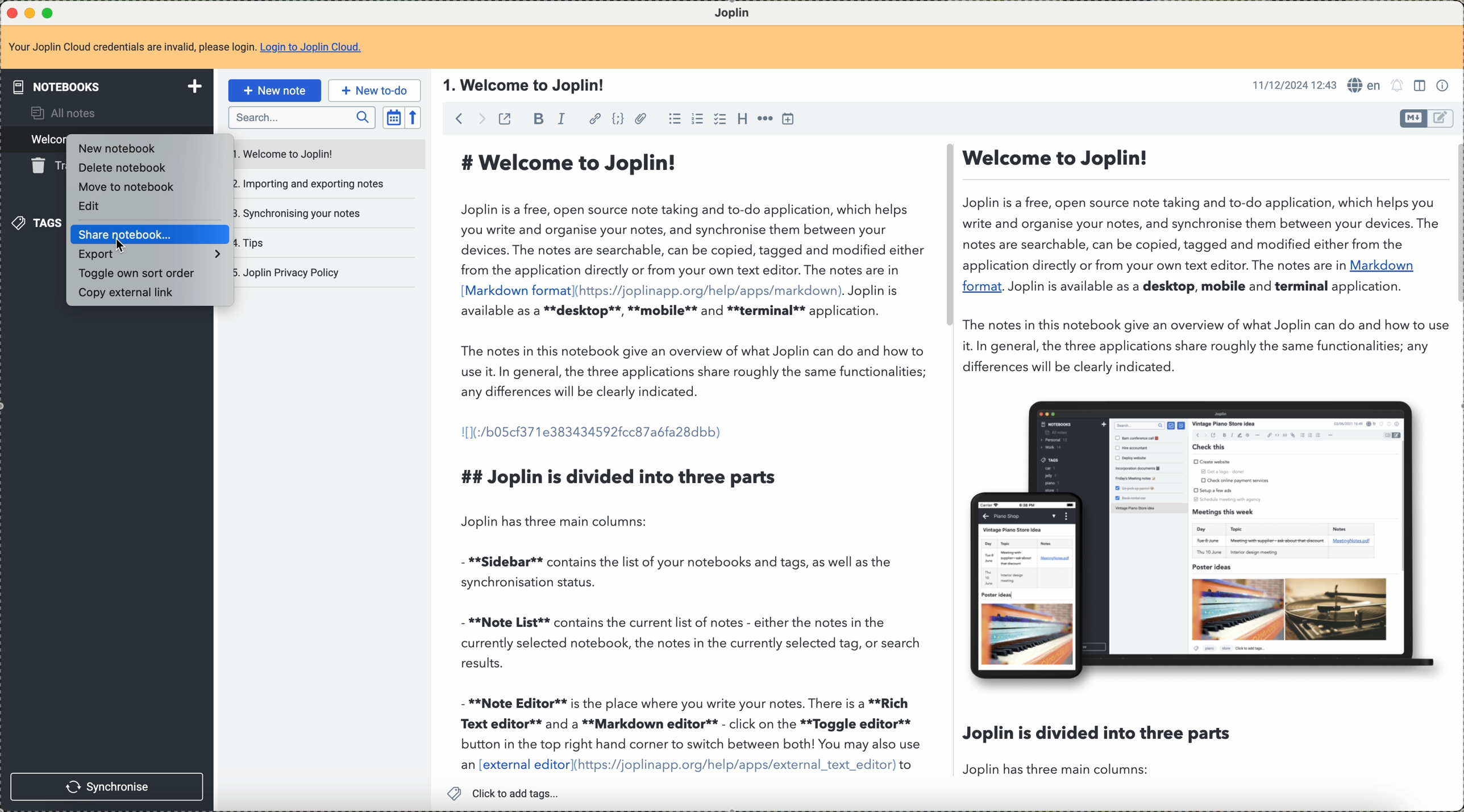  What do you see at coordinates (1413, 118) in the screenshot?
I see `toggle editor` at bounding box center [1413, 118].